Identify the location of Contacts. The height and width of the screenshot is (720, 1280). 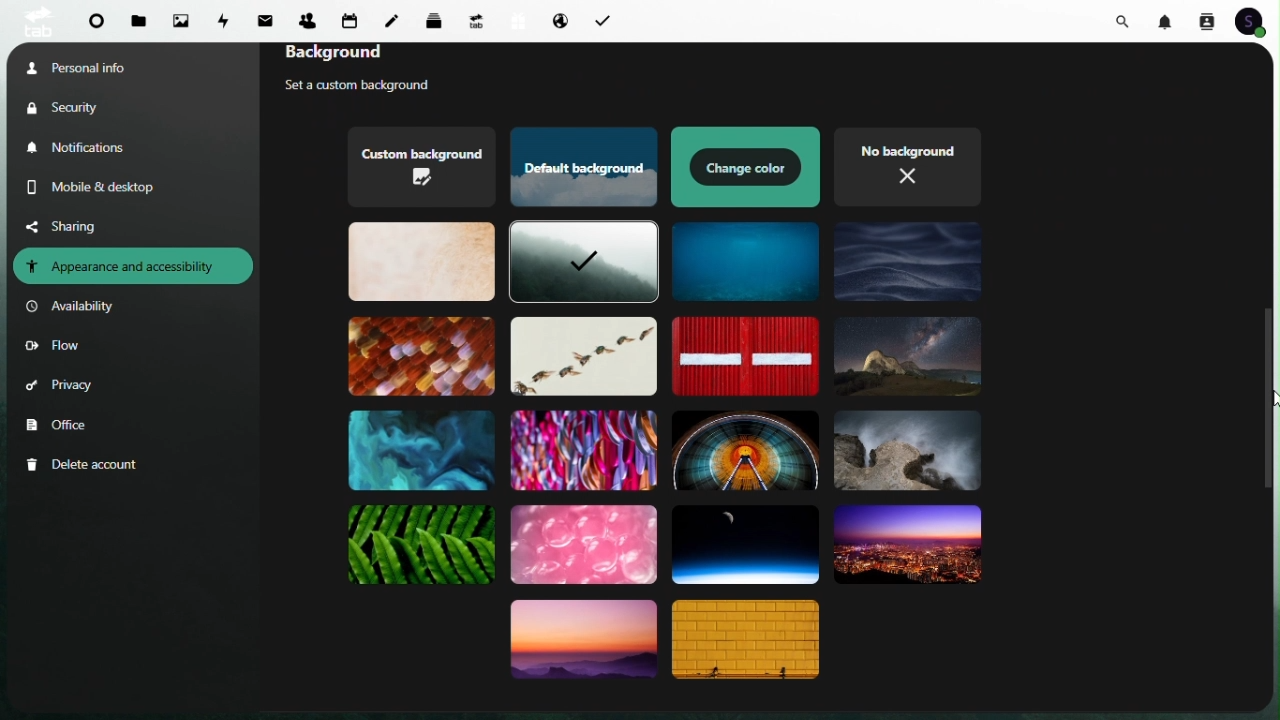
(1206, 20).